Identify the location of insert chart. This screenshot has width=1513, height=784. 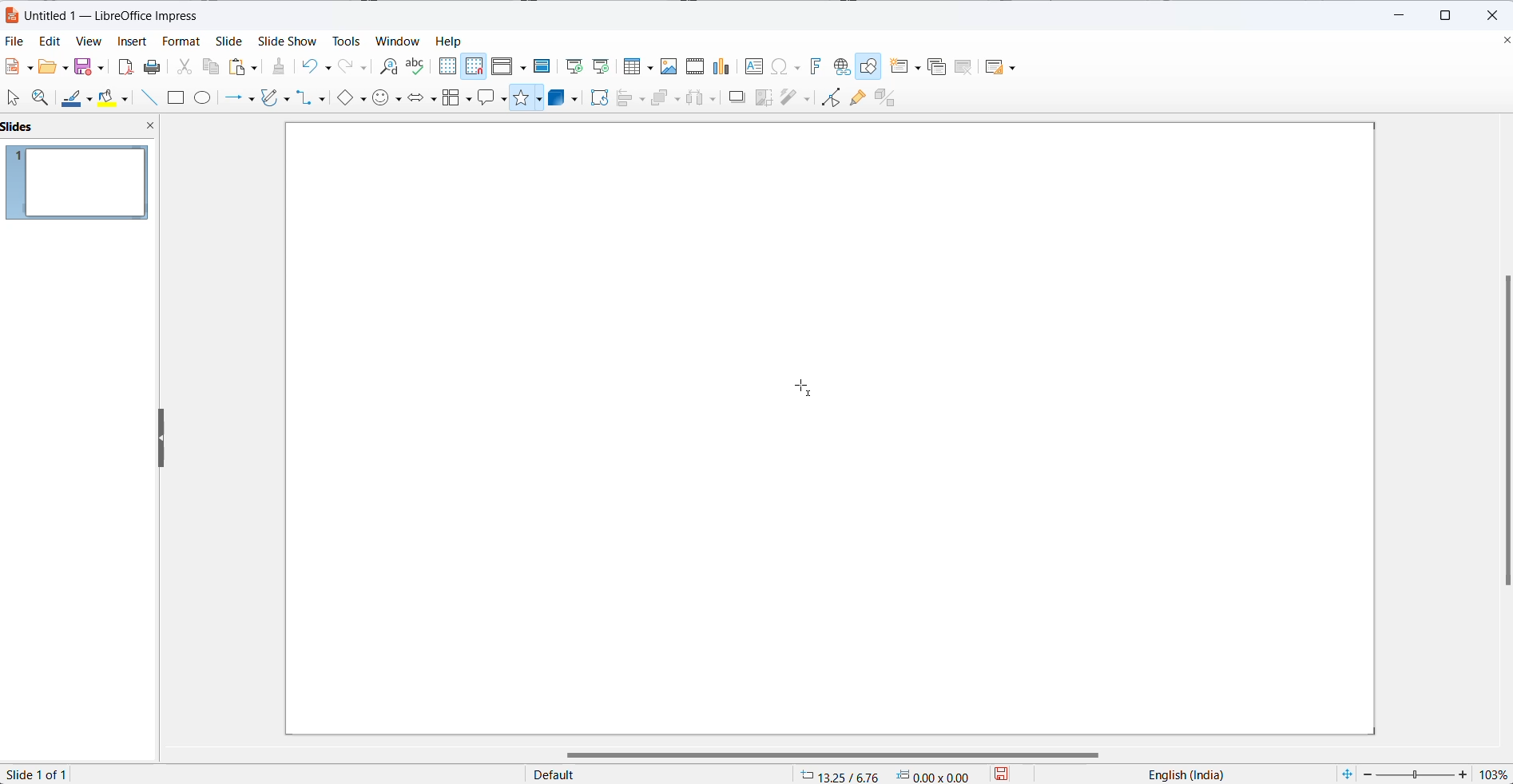
(722, 68).